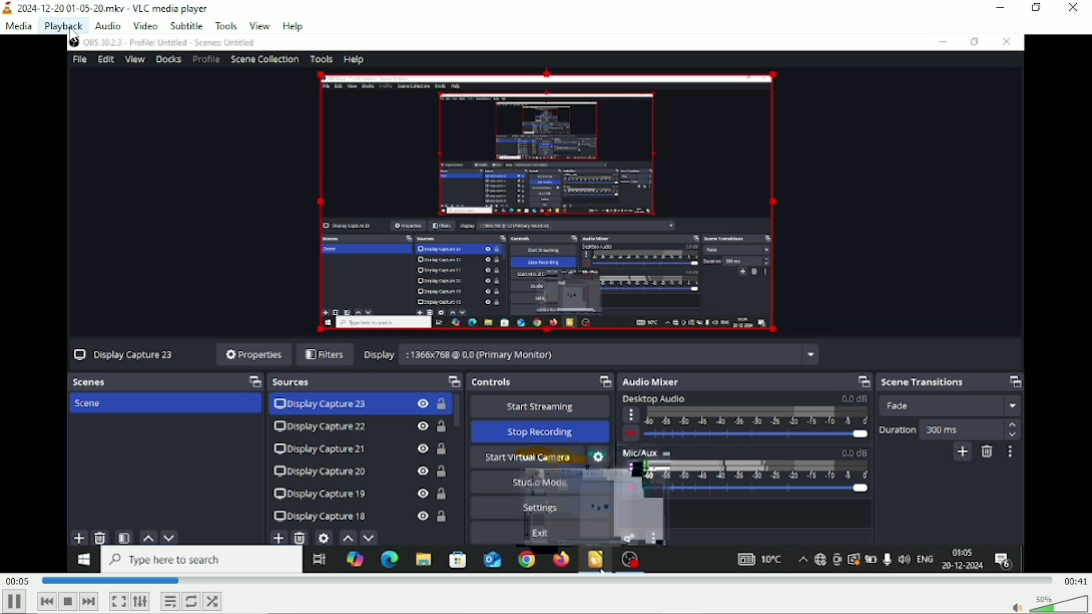 This screenshot has width=1092, height=614. What do you see at coordinates (107, 8) in the screenshot?
I see `2024-12-20 01-05-20.mkv - VLC media player` at bounding box center [107, 8].